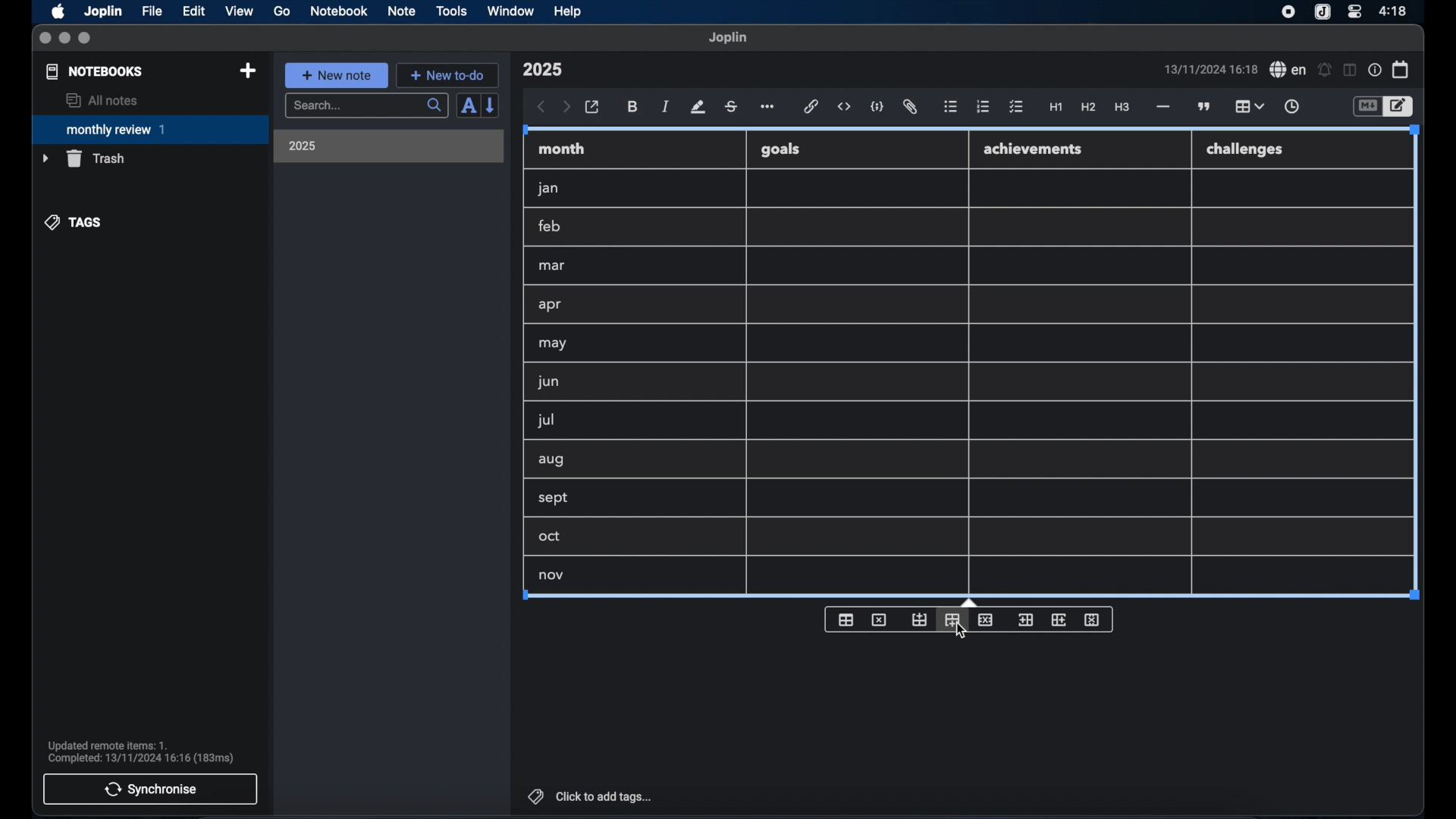 The height and width of the screenshot is (819, 1456). What do you see at coordinates (728, 37) in the screenshot?
I see `joplin` at bounding box center [728, 37].